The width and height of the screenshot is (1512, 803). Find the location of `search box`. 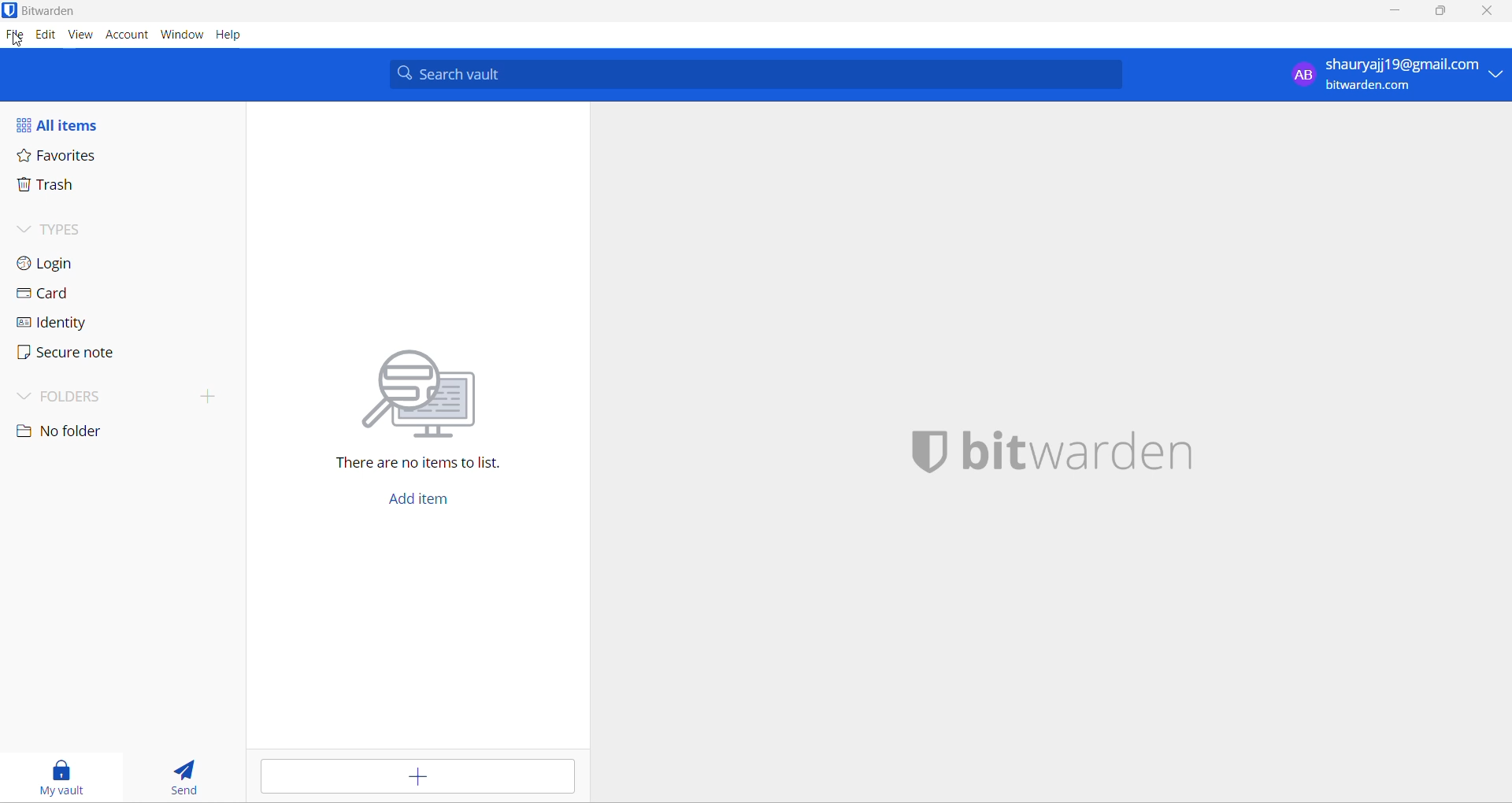

search box is located at coordinates (763, 74).